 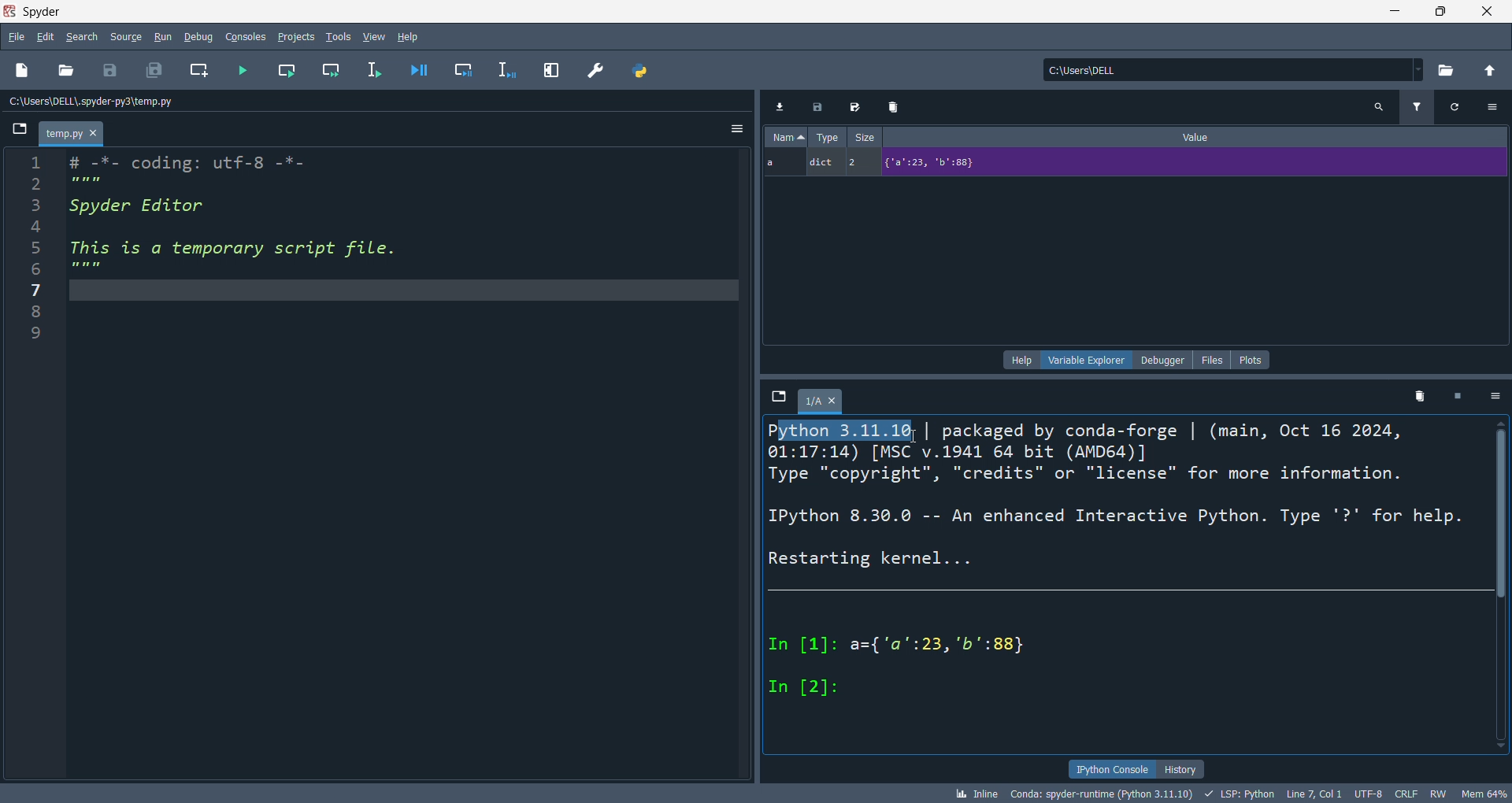 I want to click on edit, so click(x=46, y=36).